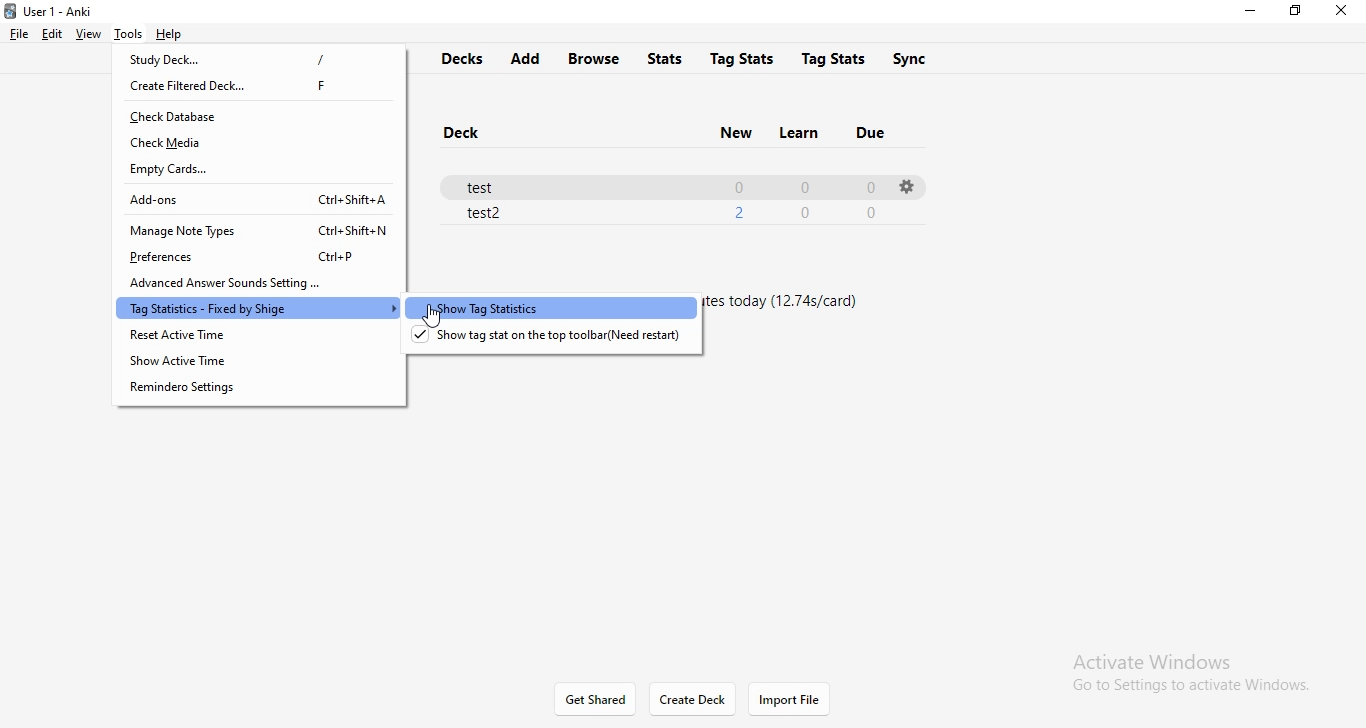  Describe the element at coordinates (882, 134) in the screenshot. I see `due` at that location.